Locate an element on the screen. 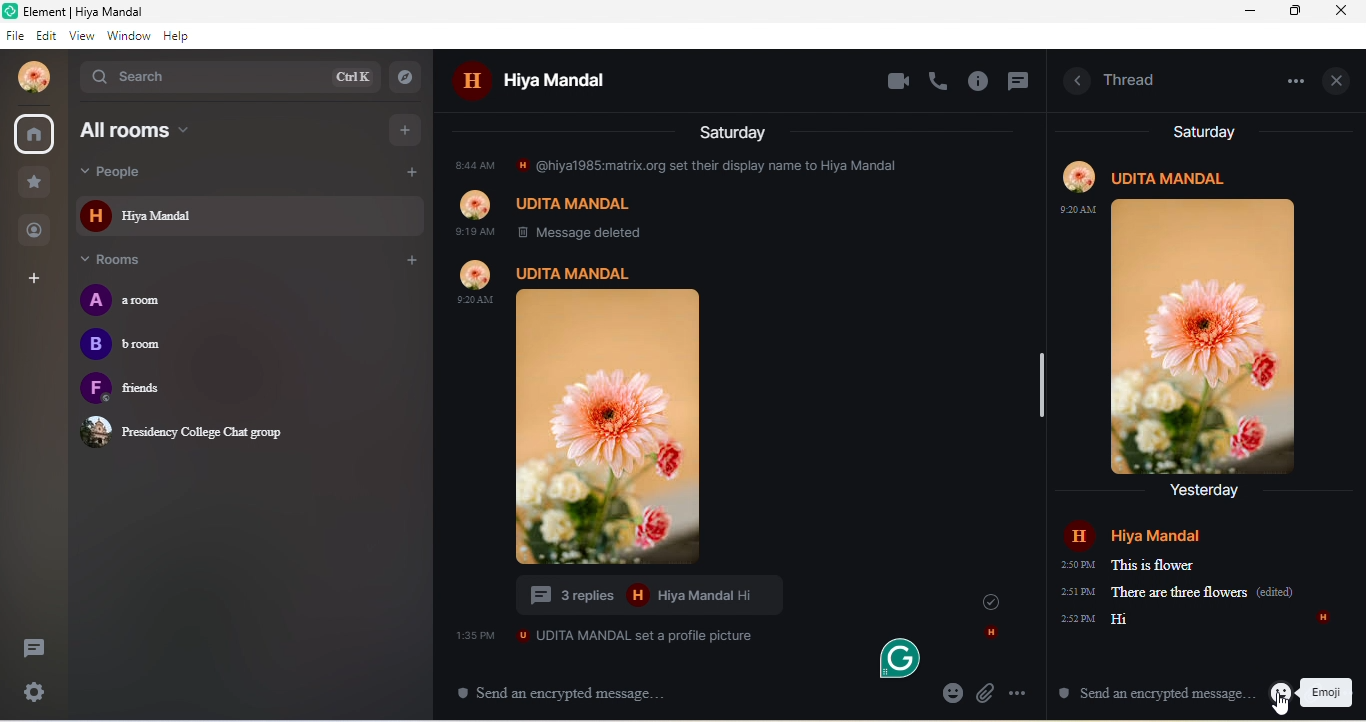 Image resolution: width=1366 pixels, height=722 pixels. voice call is located at coordinates (940, 81).